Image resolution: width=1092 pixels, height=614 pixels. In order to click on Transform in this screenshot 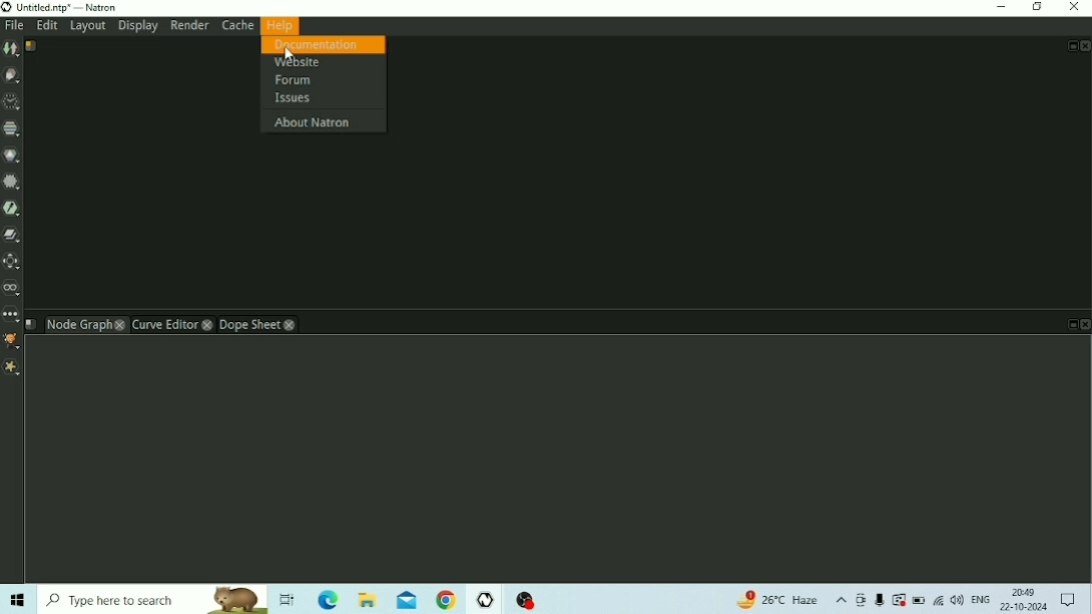, I will do `click(12, 261)`.